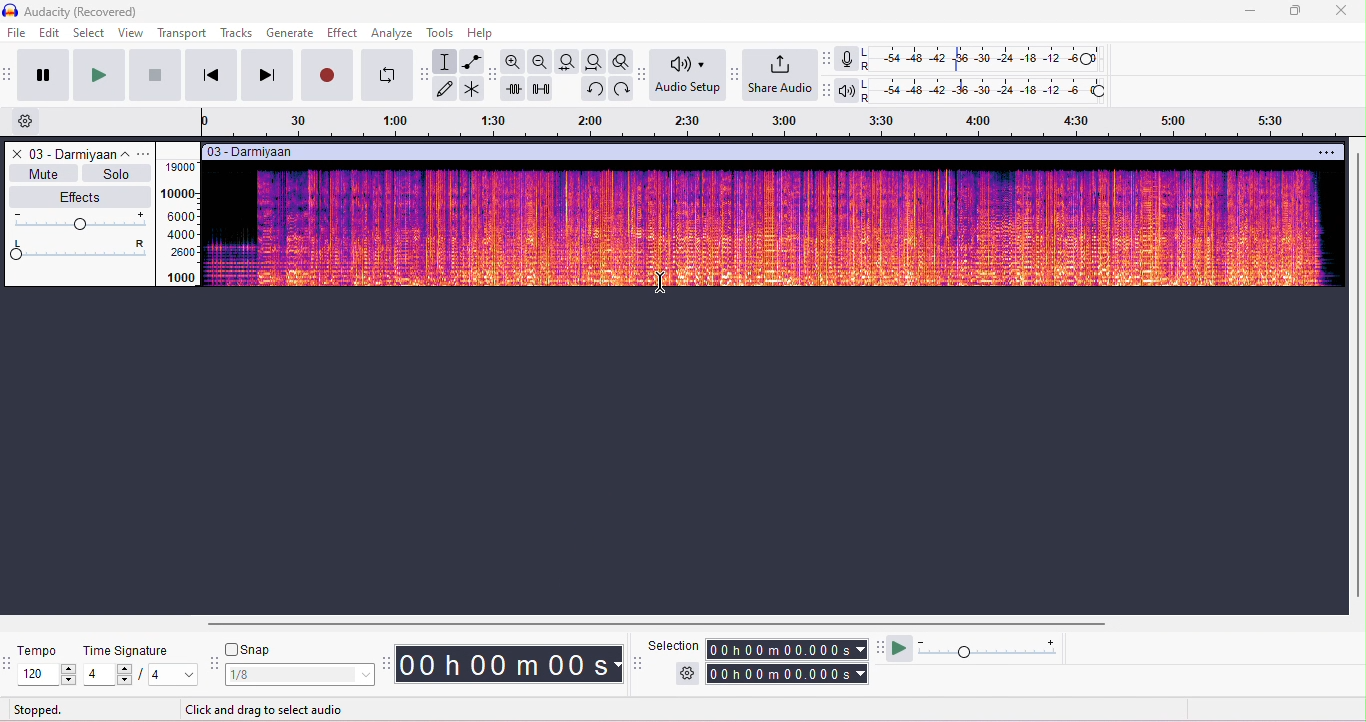  Describe the element at coordinates (1247, 13) in the screenshot. I see `minimize` at that location.